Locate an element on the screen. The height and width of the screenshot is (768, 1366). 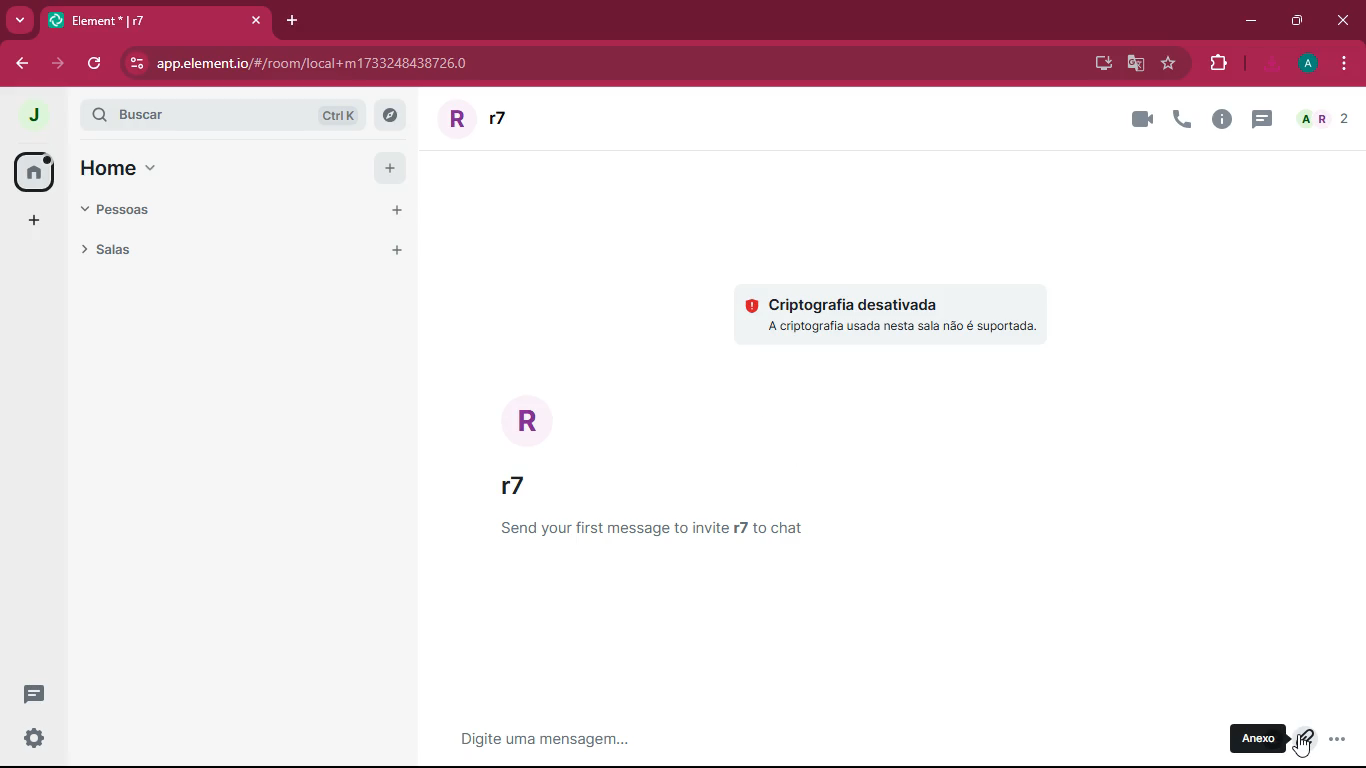
ar 2  is located at coordinates (1322, 120).